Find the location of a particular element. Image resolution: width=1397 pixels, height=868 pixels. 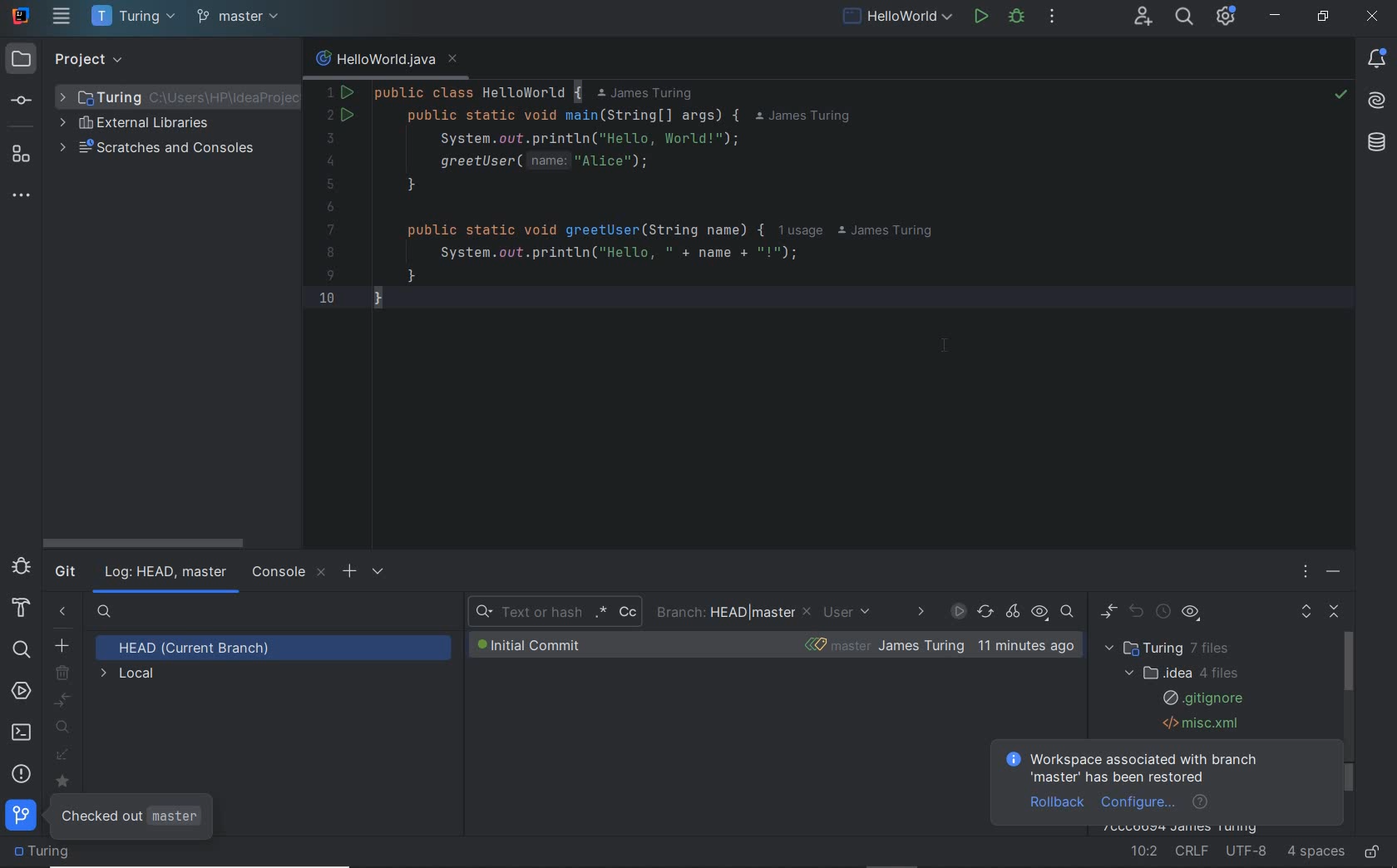

OPTIONS is located at coordinates (1308, 573).